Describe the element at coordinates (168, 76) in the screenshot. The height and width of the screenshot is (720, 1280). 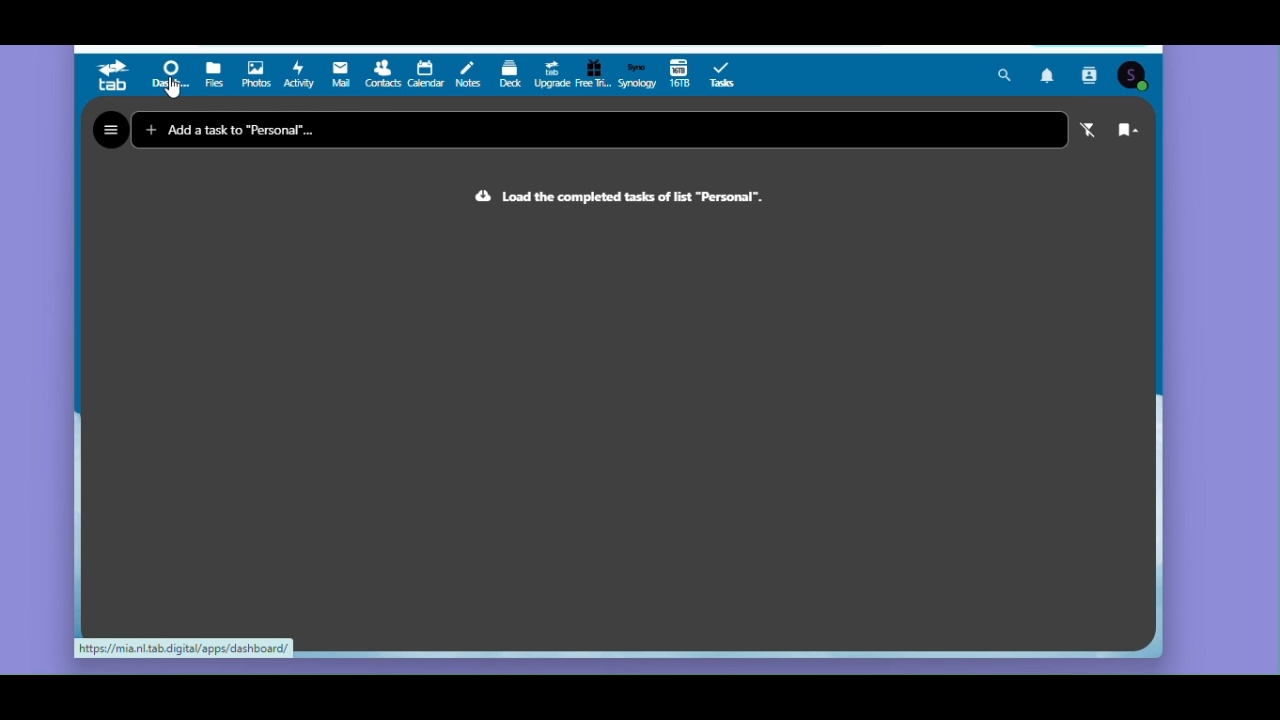
I see `Dashboard` at that location.